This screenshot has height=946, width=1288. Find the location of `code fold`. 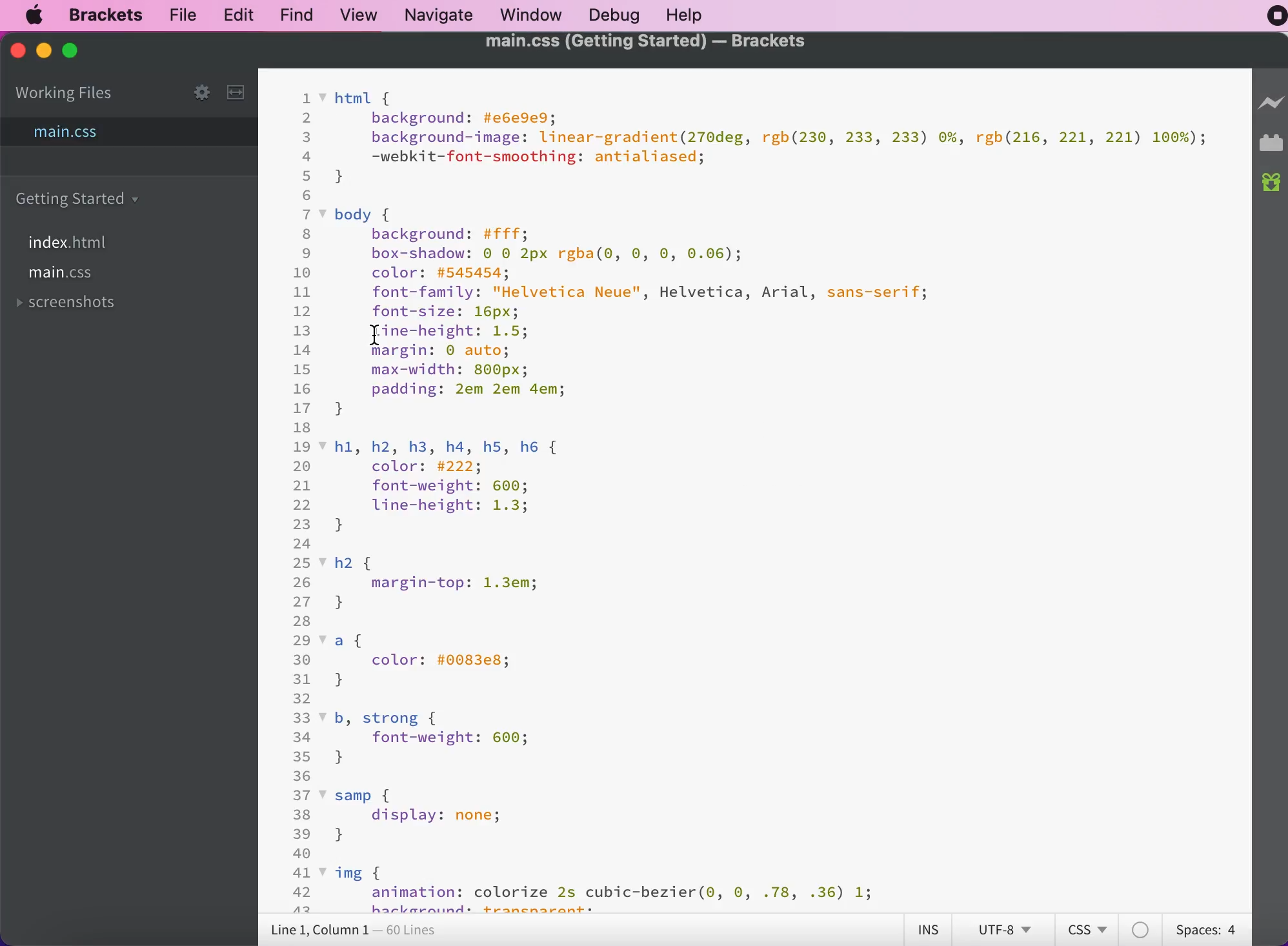

code fold is located at coordinates (324, 212).